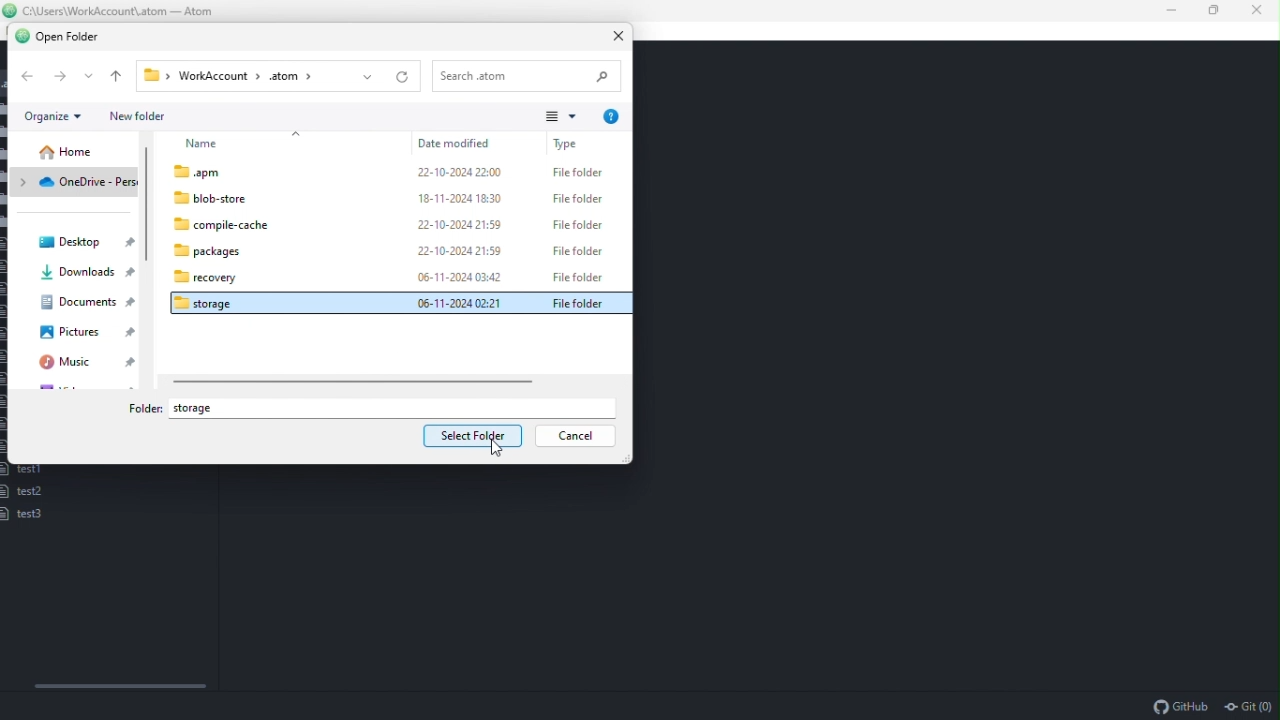 The height and width of the screenshot is (720, 1280). I want to click on mouse on select folder, so click(471, 436).